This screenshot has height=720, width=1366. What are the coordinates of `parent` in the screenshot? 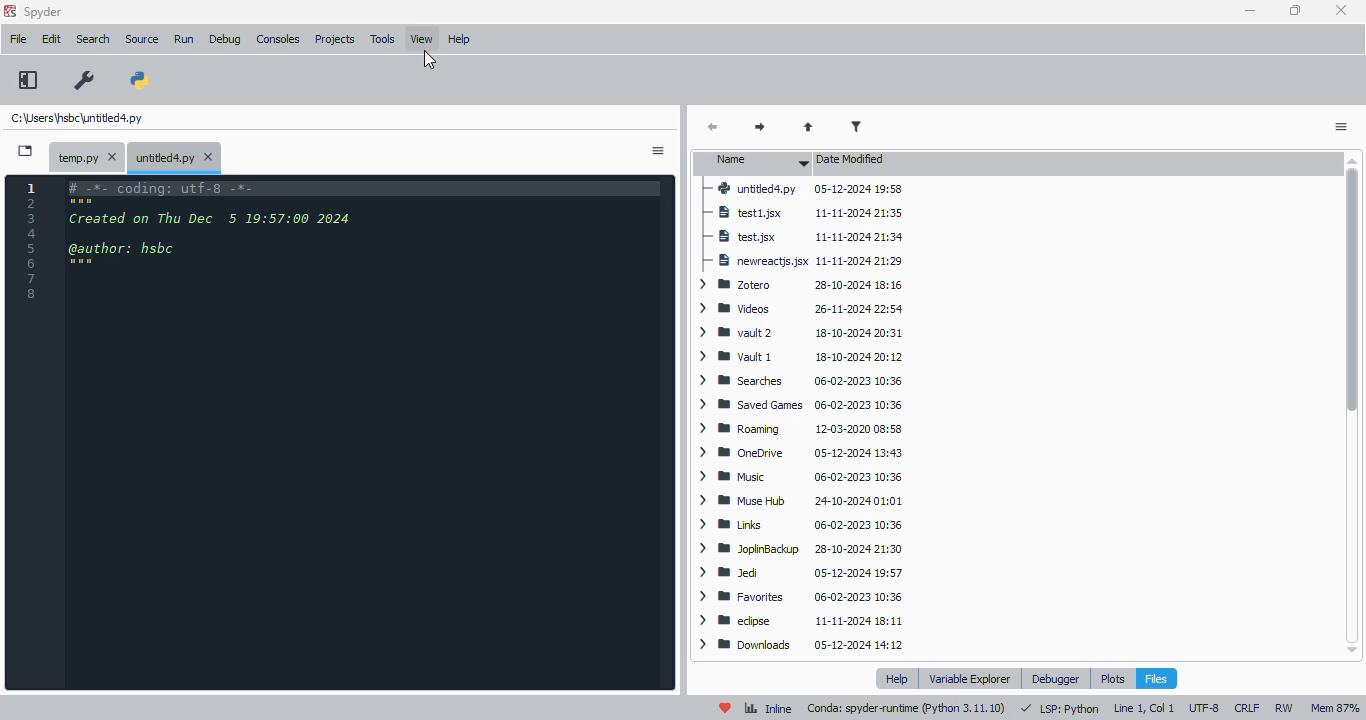 It's located at (808, 128).